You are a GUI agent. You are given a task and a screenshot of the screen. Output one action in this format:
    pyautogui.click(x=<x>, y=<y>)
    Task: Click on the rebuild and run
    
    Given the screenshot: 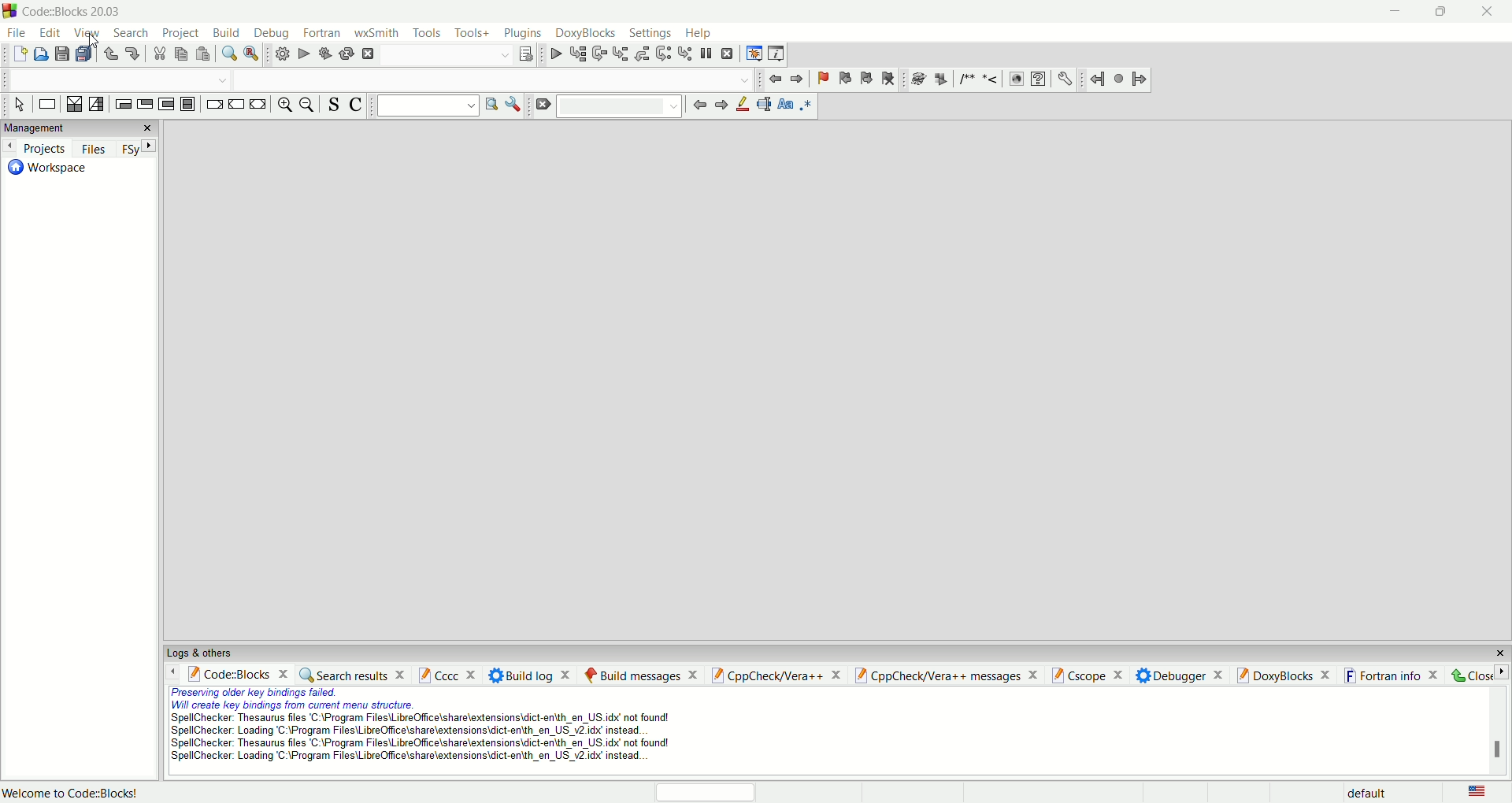 What is the action you would take?
    pyautogui.click(x=324, y=54)
    